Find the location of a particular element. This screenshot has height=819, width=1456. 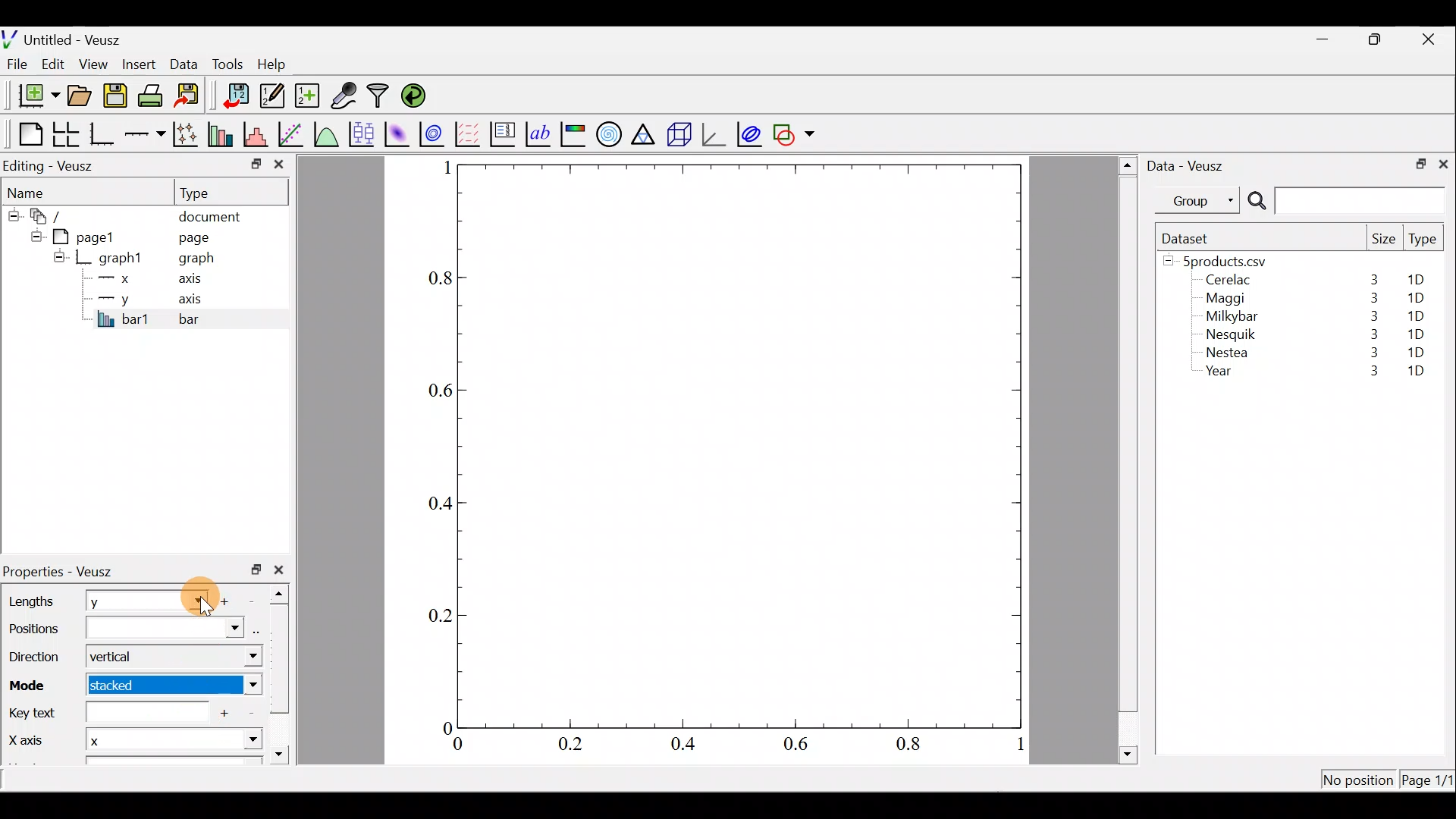

Create new dataset using ranges, parametrically, or as functions of existing datasets. is located at coordinates (309, 96).